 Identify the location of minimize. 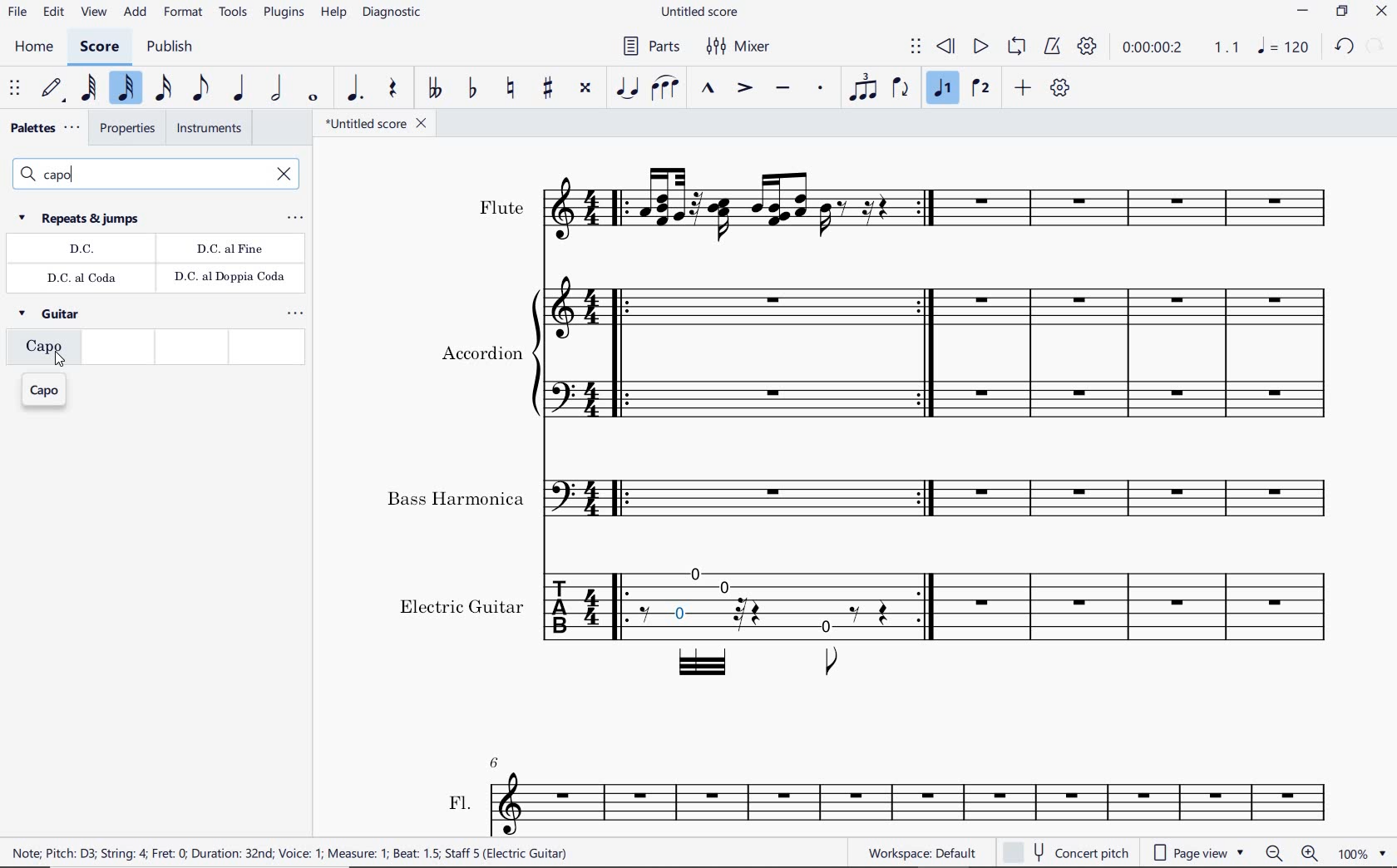
(1303, 12).